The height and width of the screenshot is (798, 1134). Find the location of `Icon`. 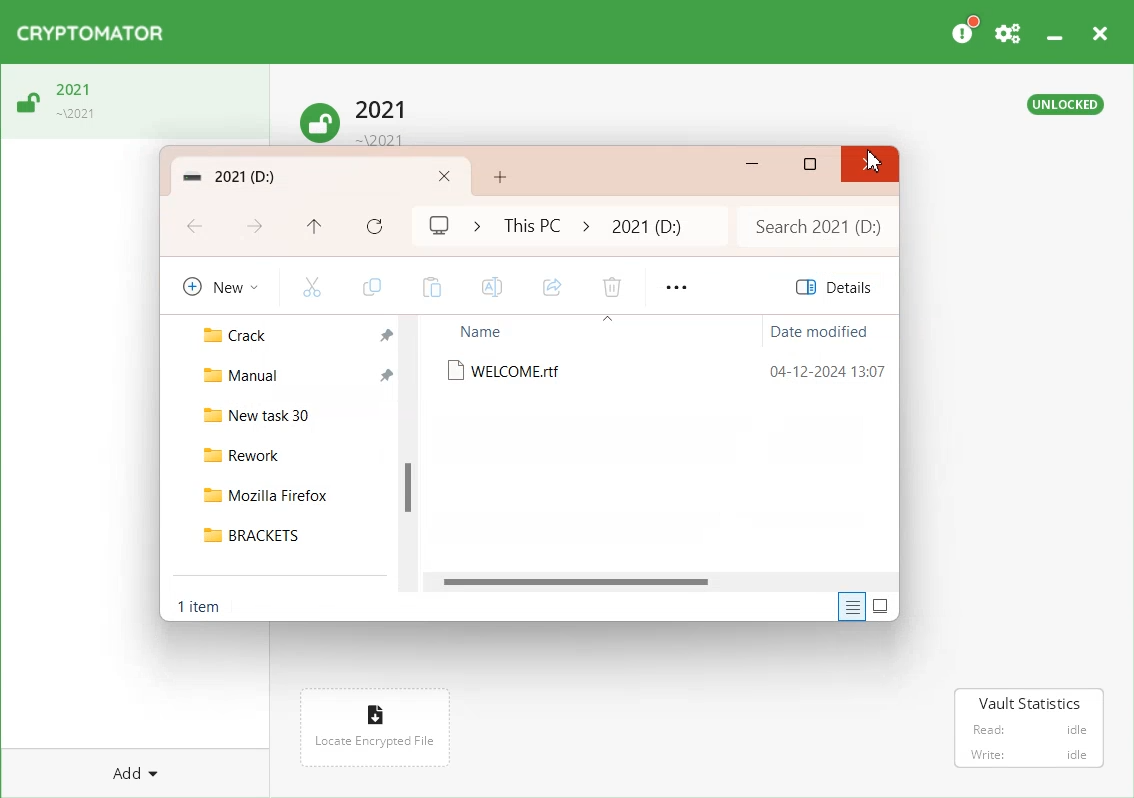

Icon is located at coordinates (477, 227).